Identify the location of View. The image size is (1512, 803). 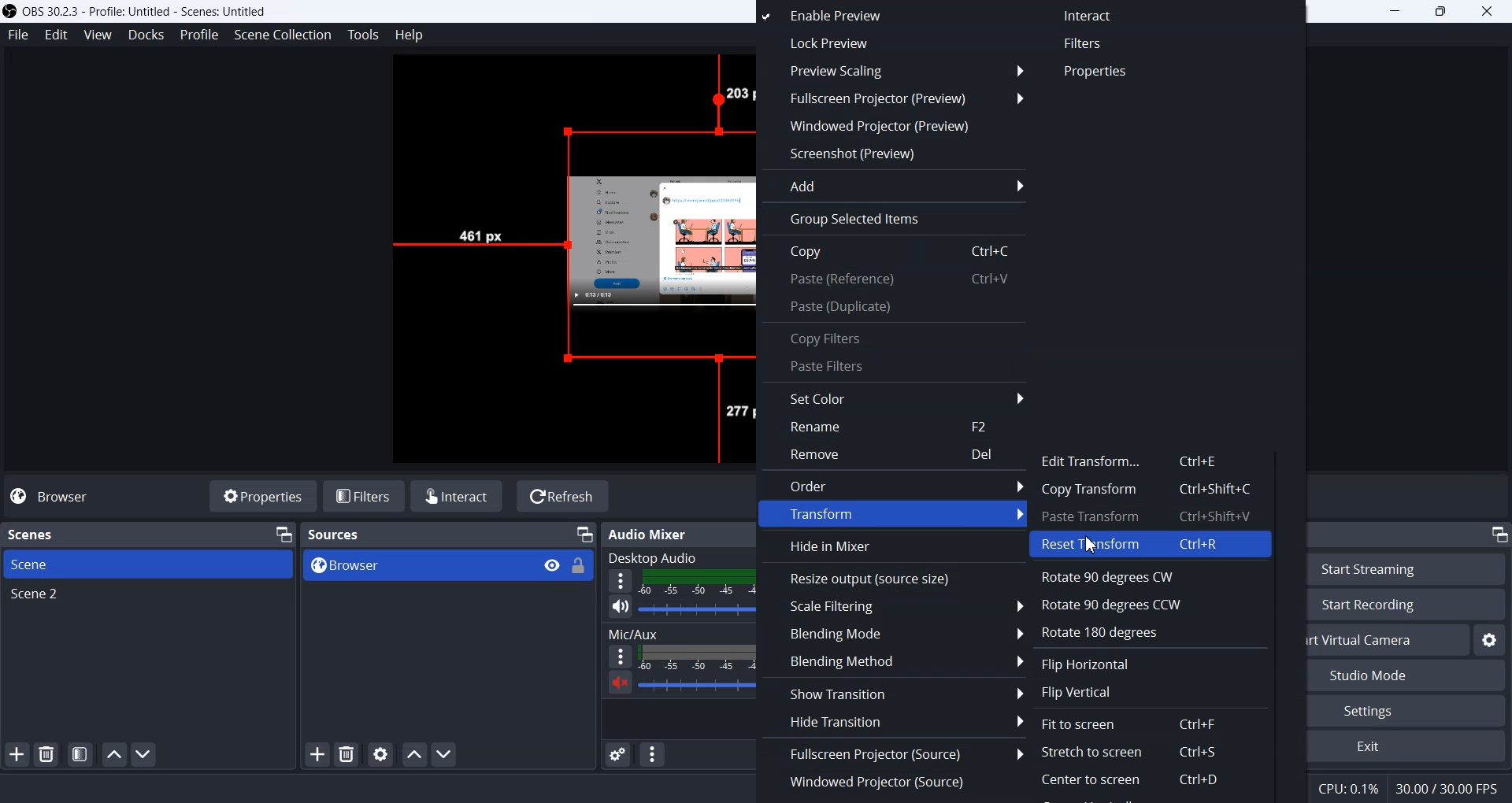
(97, 35).